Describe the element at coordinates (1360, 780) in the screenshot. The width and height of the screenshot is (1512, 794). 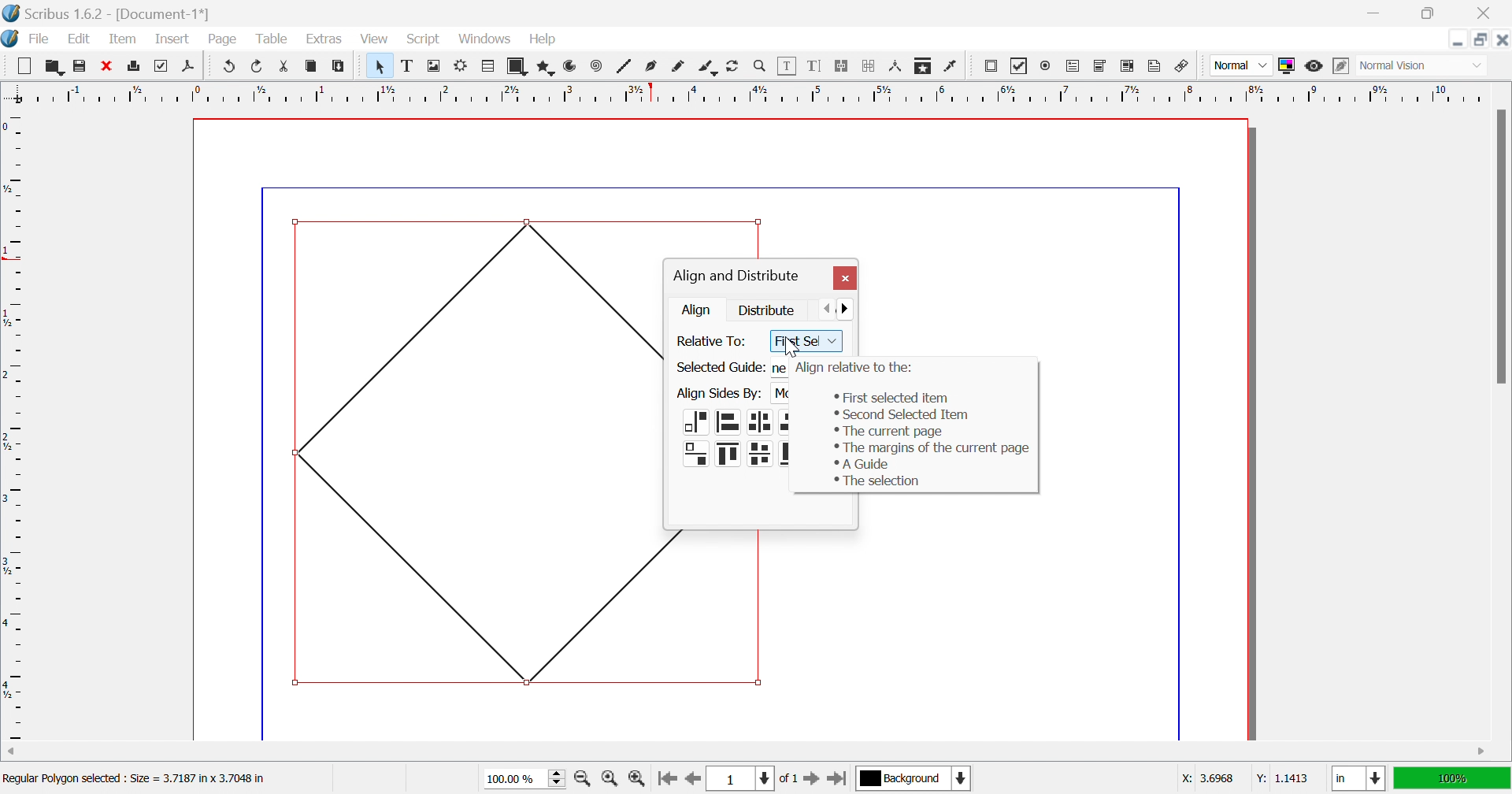
I see `in` at that location.